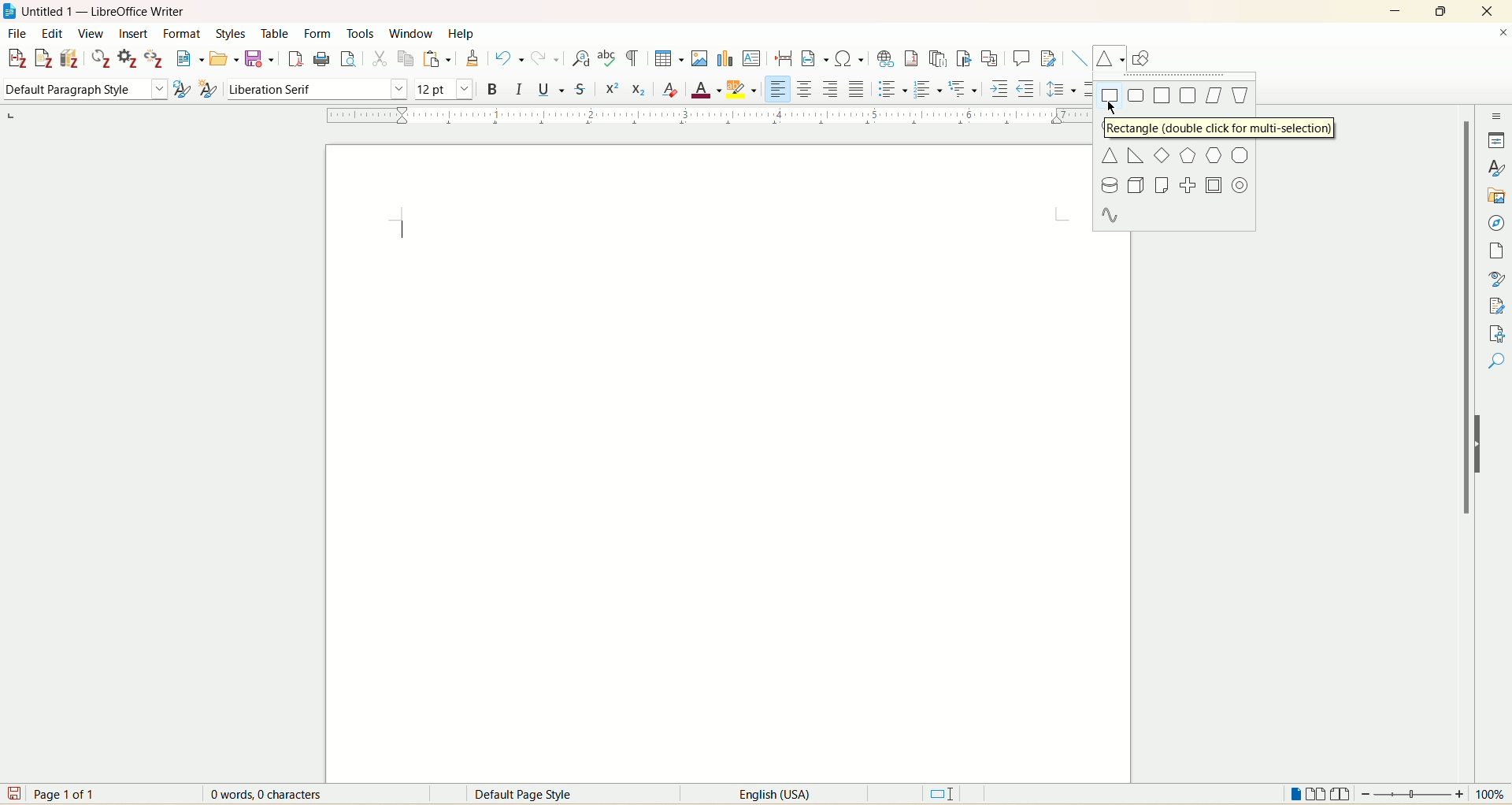 This screenshot has height=805, width=1512. Describe the element at coordinates (321, 59) in the screenshot. I see `print` at that location.